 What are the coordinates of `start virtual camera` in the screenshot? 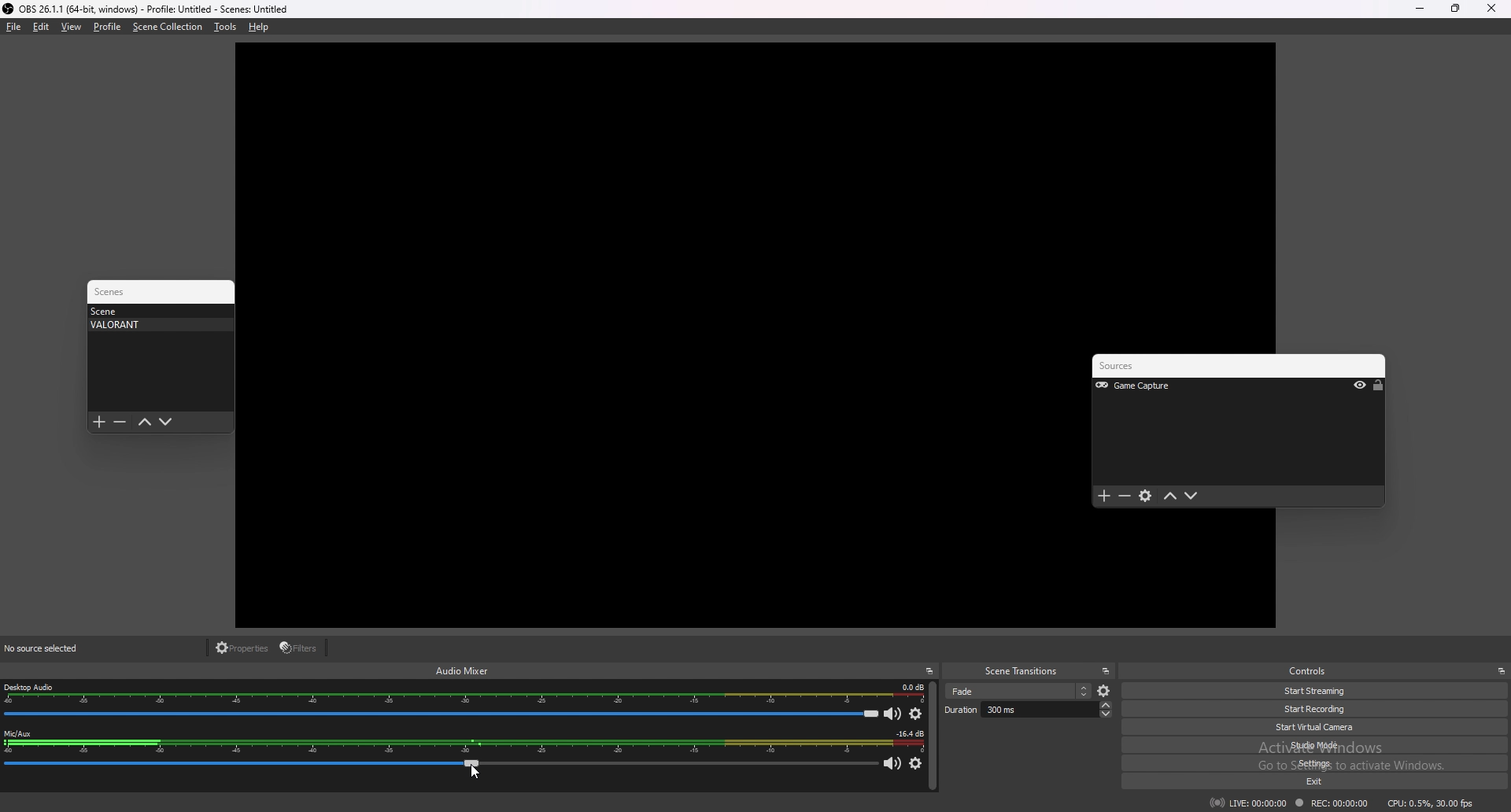 It's located at (1323, 727).